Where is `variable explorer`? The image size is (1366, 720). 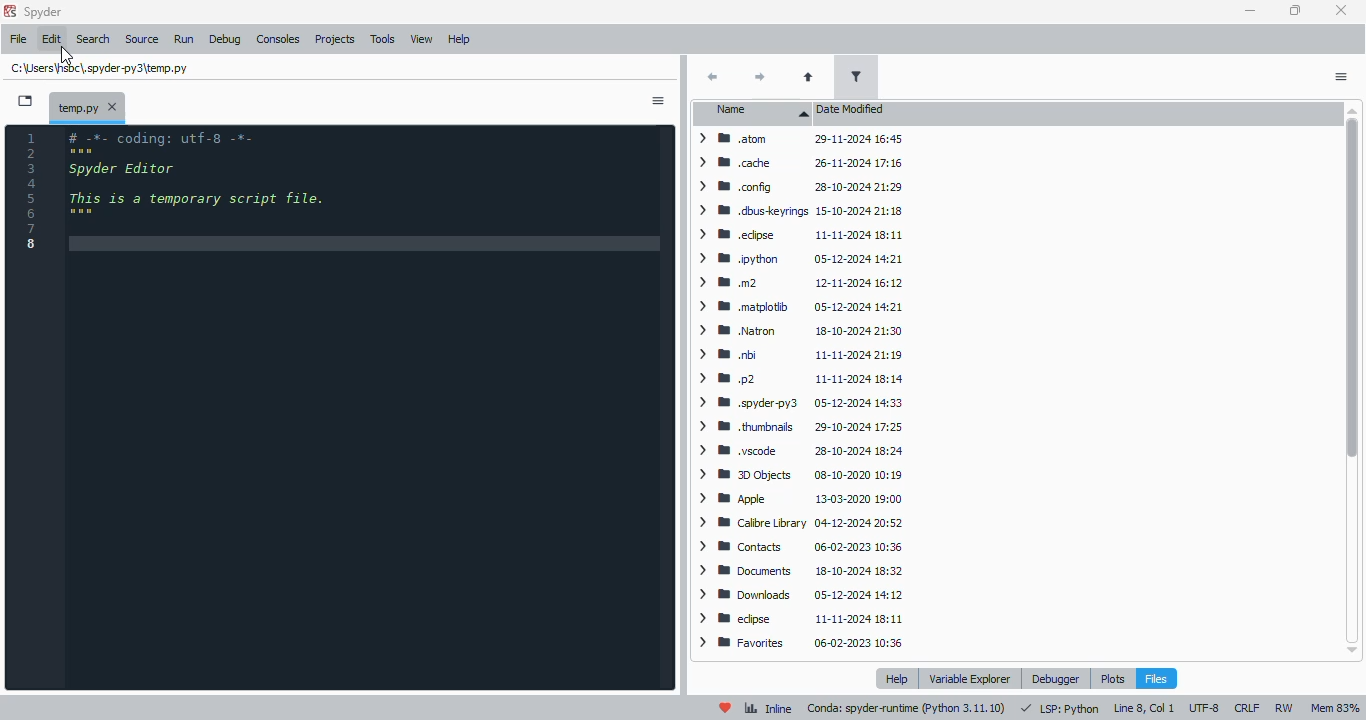
variable explorer is located at coordinates (971, 678).